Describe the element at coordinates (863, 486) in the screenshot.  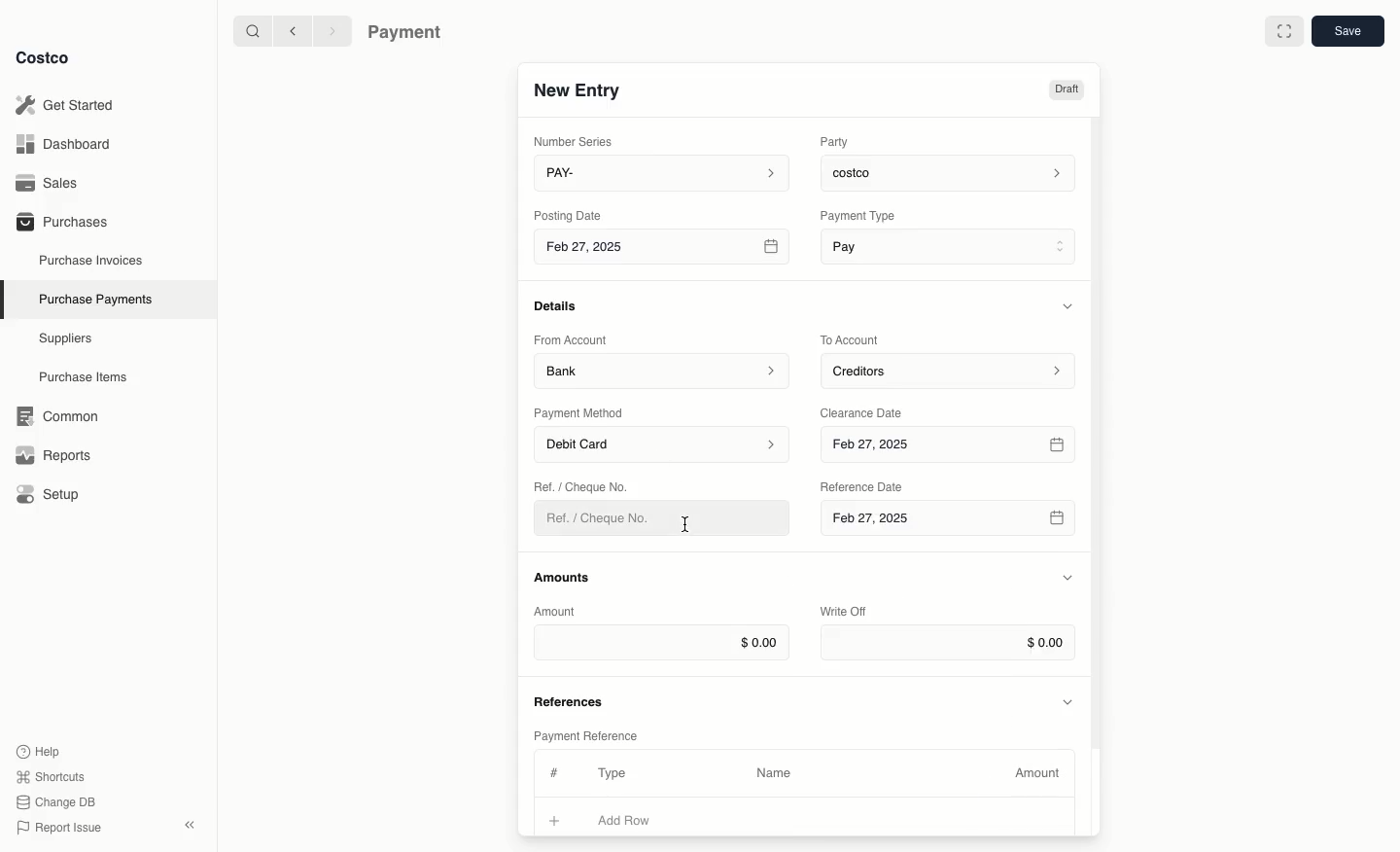
I see `‘Reference Date` at that location.